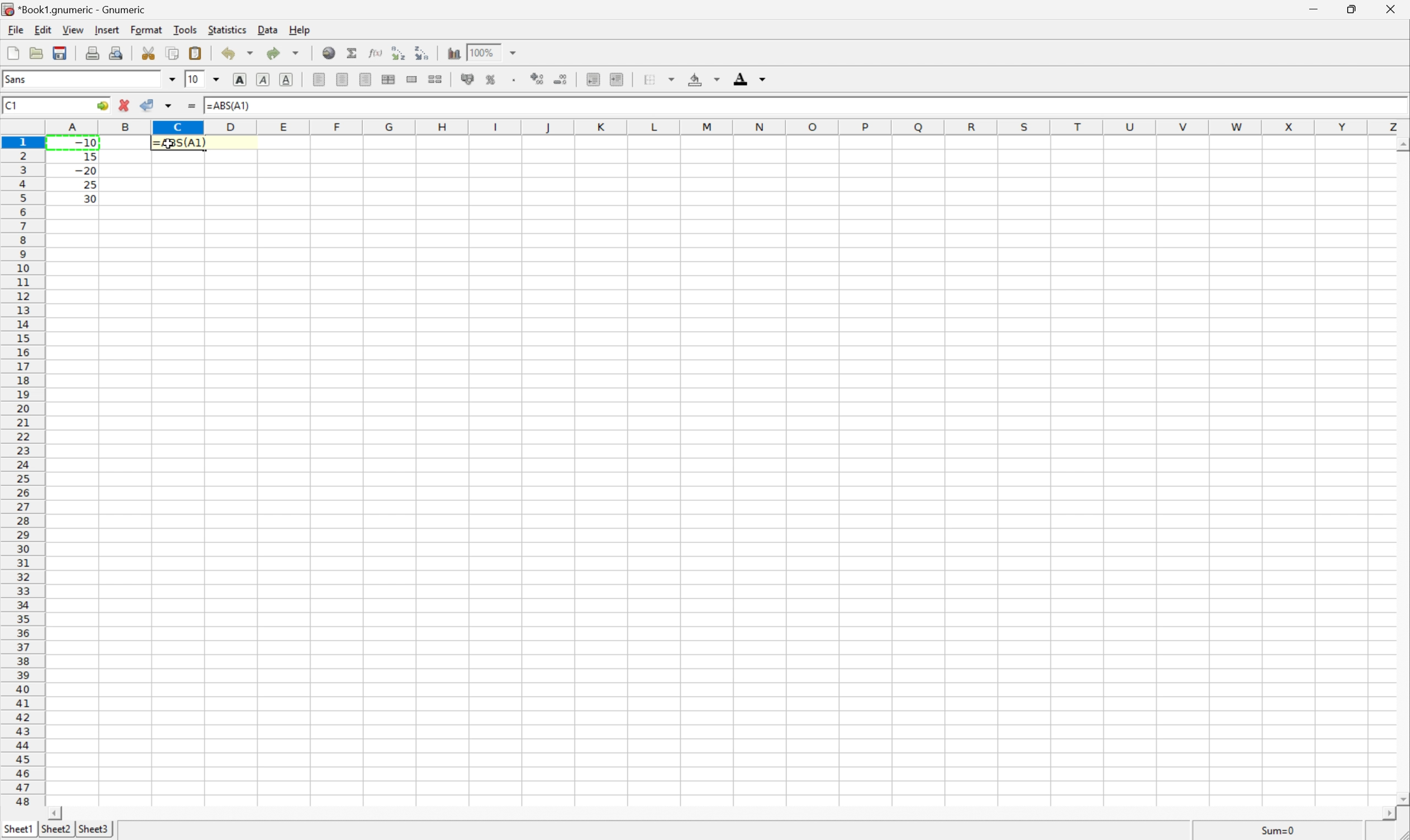 The height and width of the screenshot is (840, 1410). What do you see at coordinates (561, 79) in the screenshot?
I see `Decrease the number of decimals displayed` at bounding box center [561, 79].